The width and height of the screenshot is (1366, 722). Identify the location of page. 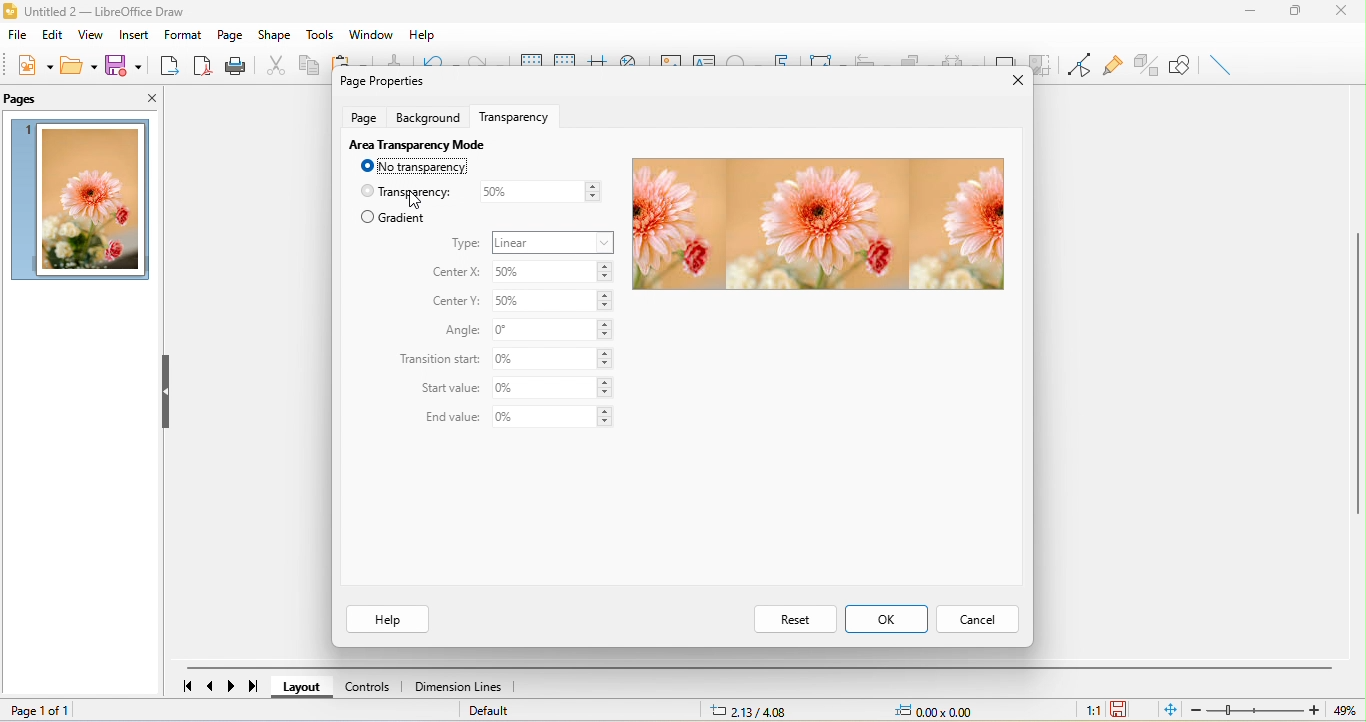
(363, 116).